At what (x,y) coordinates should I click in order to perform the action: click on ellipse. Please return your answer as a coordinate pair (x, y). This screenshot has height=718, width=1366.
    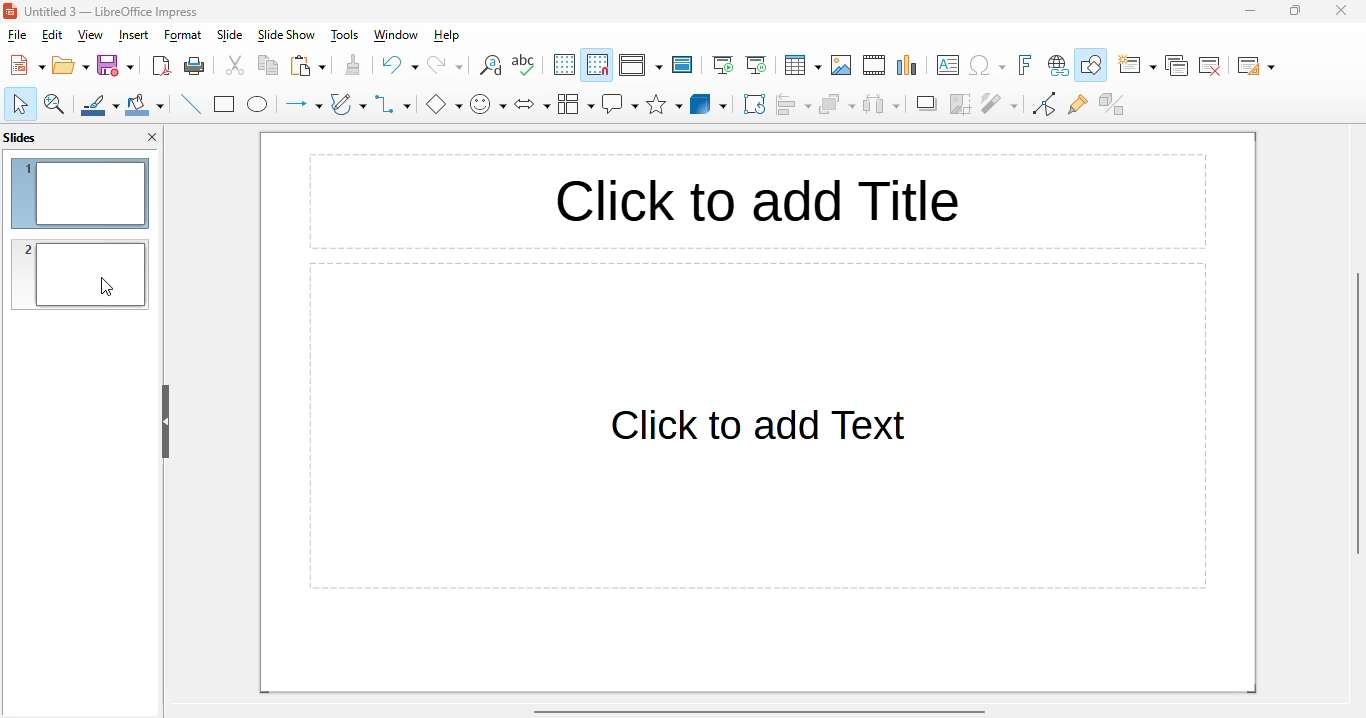
    Looking at the image, I should click on (258, 105).